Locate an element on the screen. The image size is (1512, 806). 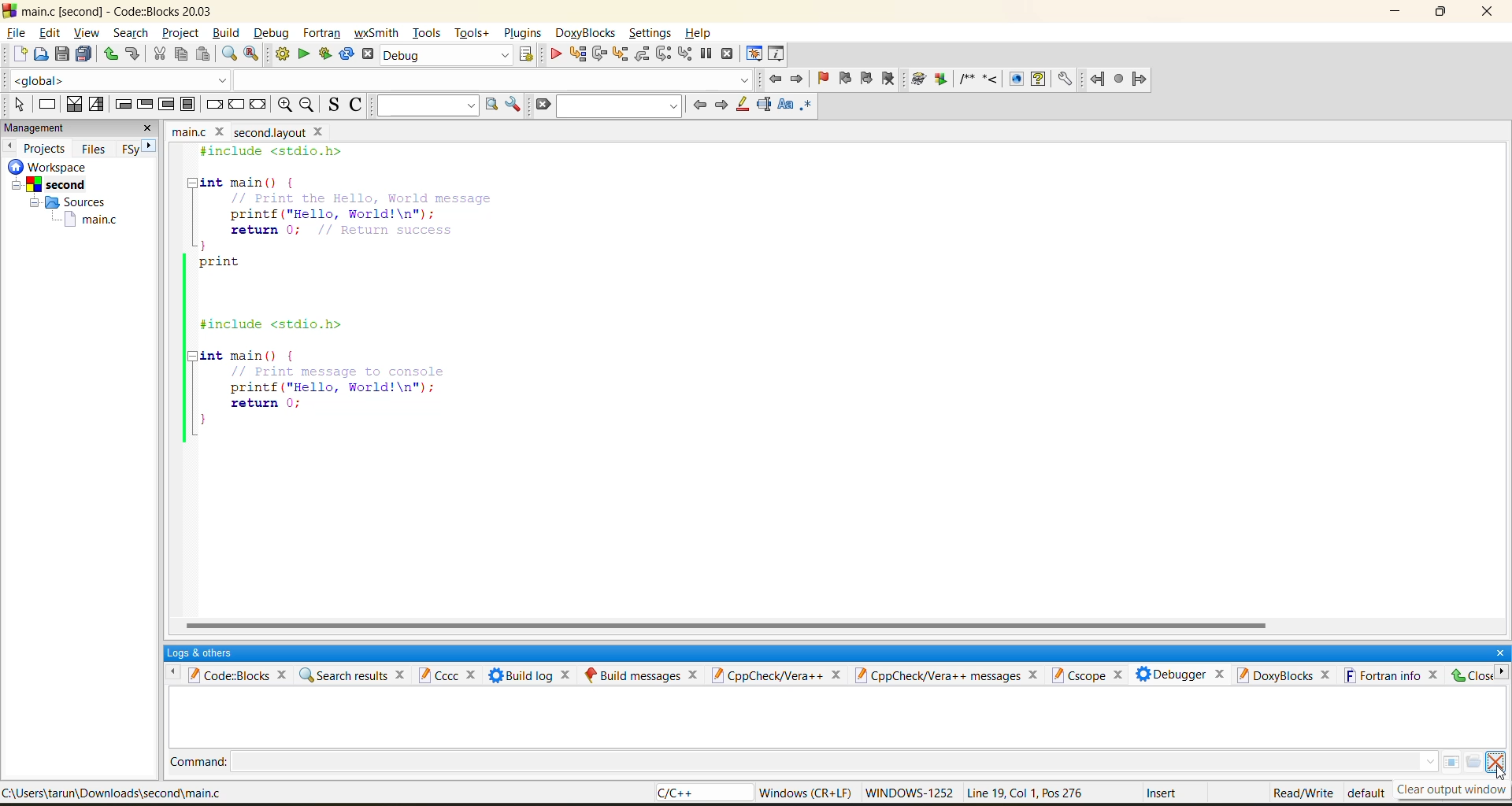
clear consol is located at coordinates (1494, 762).